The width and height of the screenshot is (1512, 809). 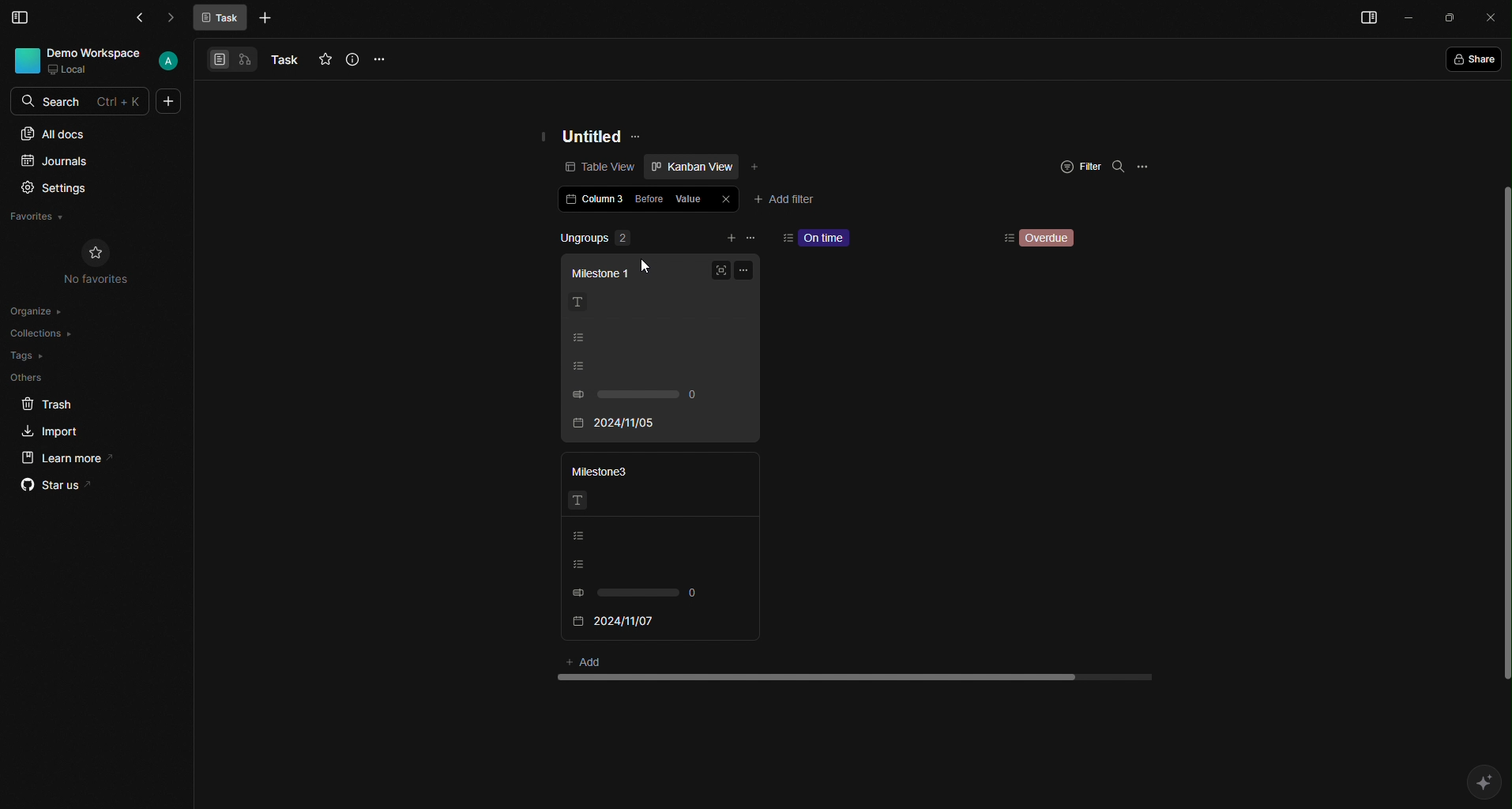 What do you see at coordinates (44, 335) in the screenshot?
I see `Collections` at bounding box center [44, 335].